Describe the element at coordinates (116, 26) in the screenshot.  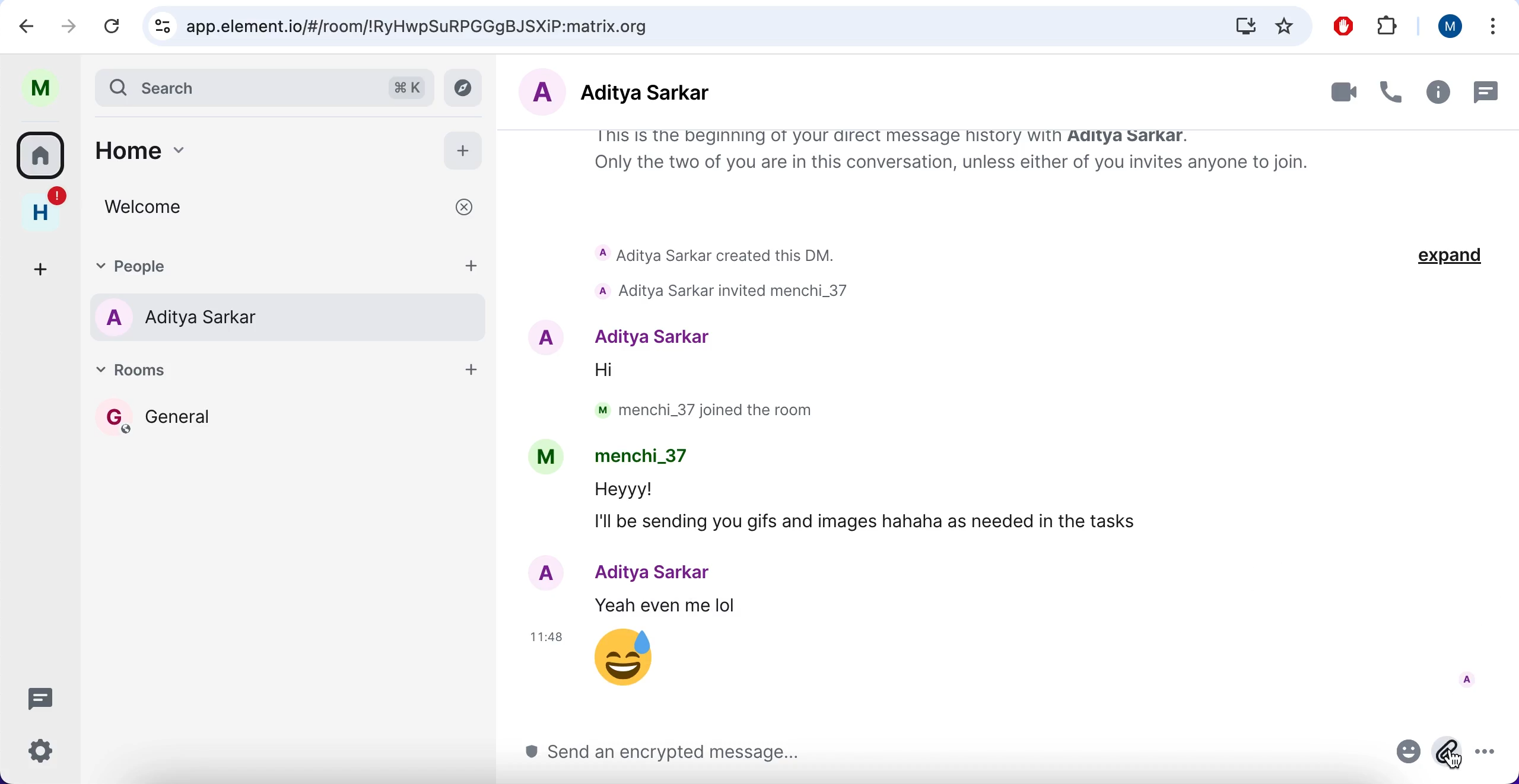
I see `reload current page` at that location.